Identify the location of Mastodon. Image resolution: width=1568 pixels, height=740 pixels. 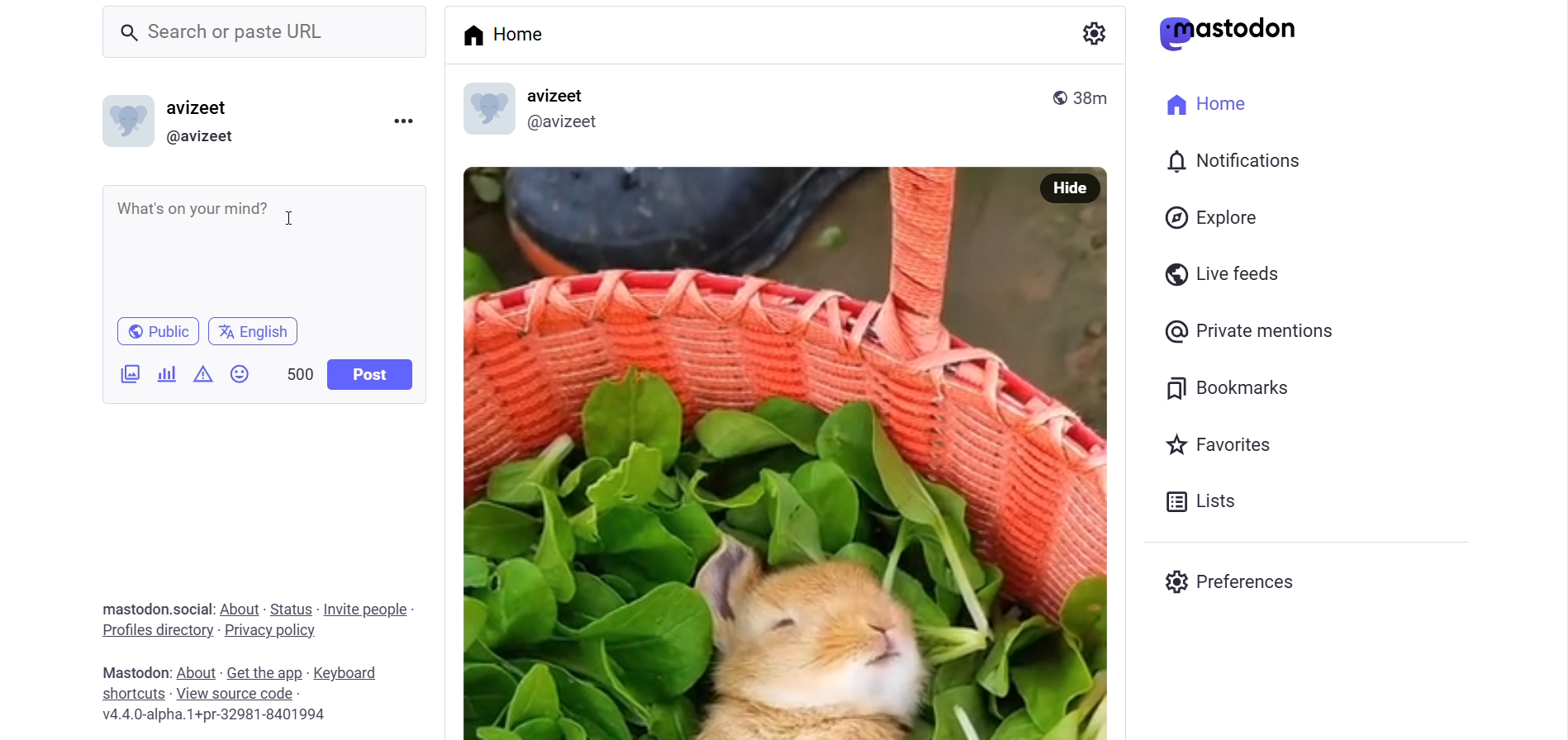
(133, 673).